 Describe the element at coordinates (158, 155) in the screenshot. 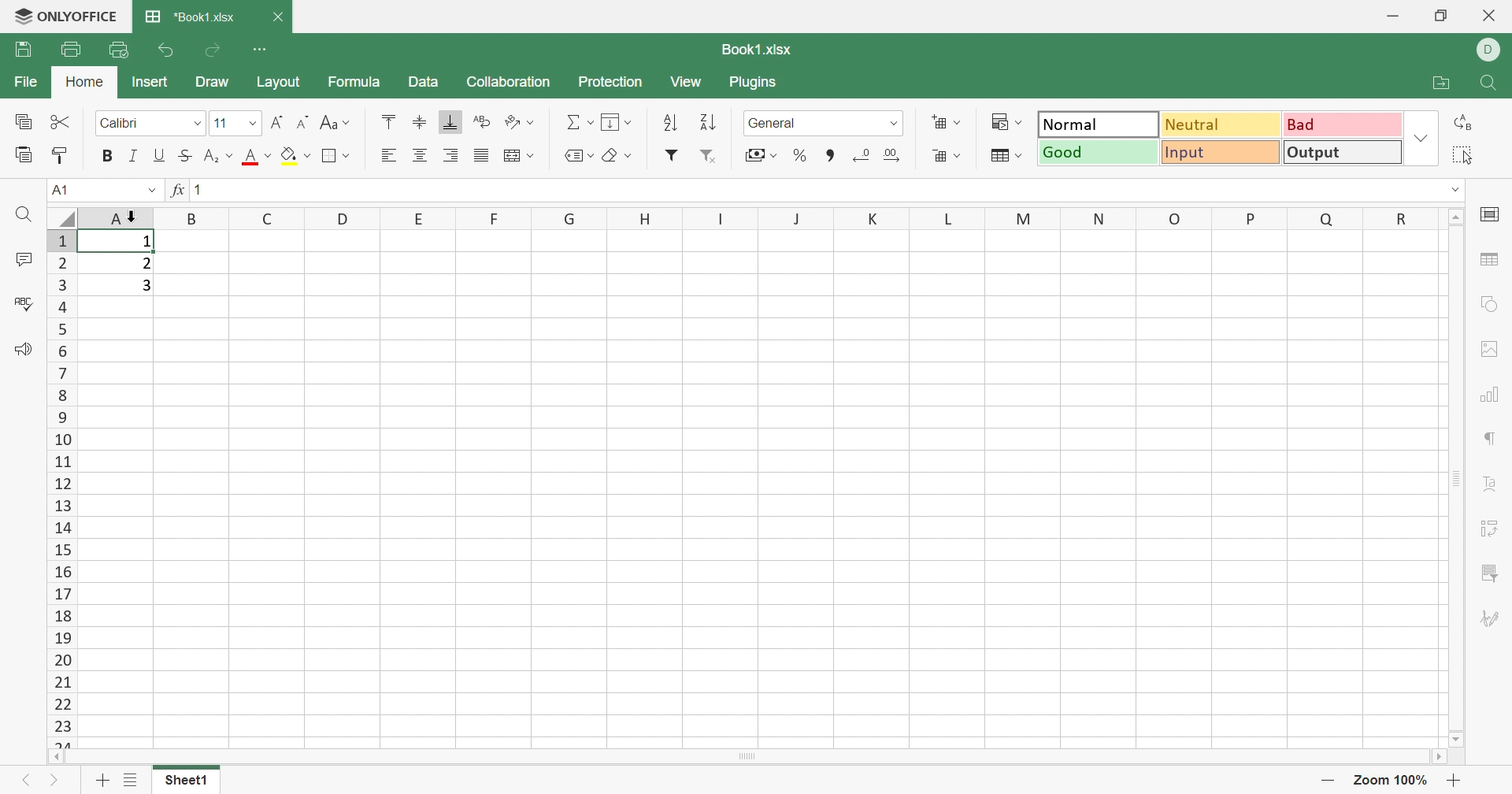

I see `Underline` at that location.